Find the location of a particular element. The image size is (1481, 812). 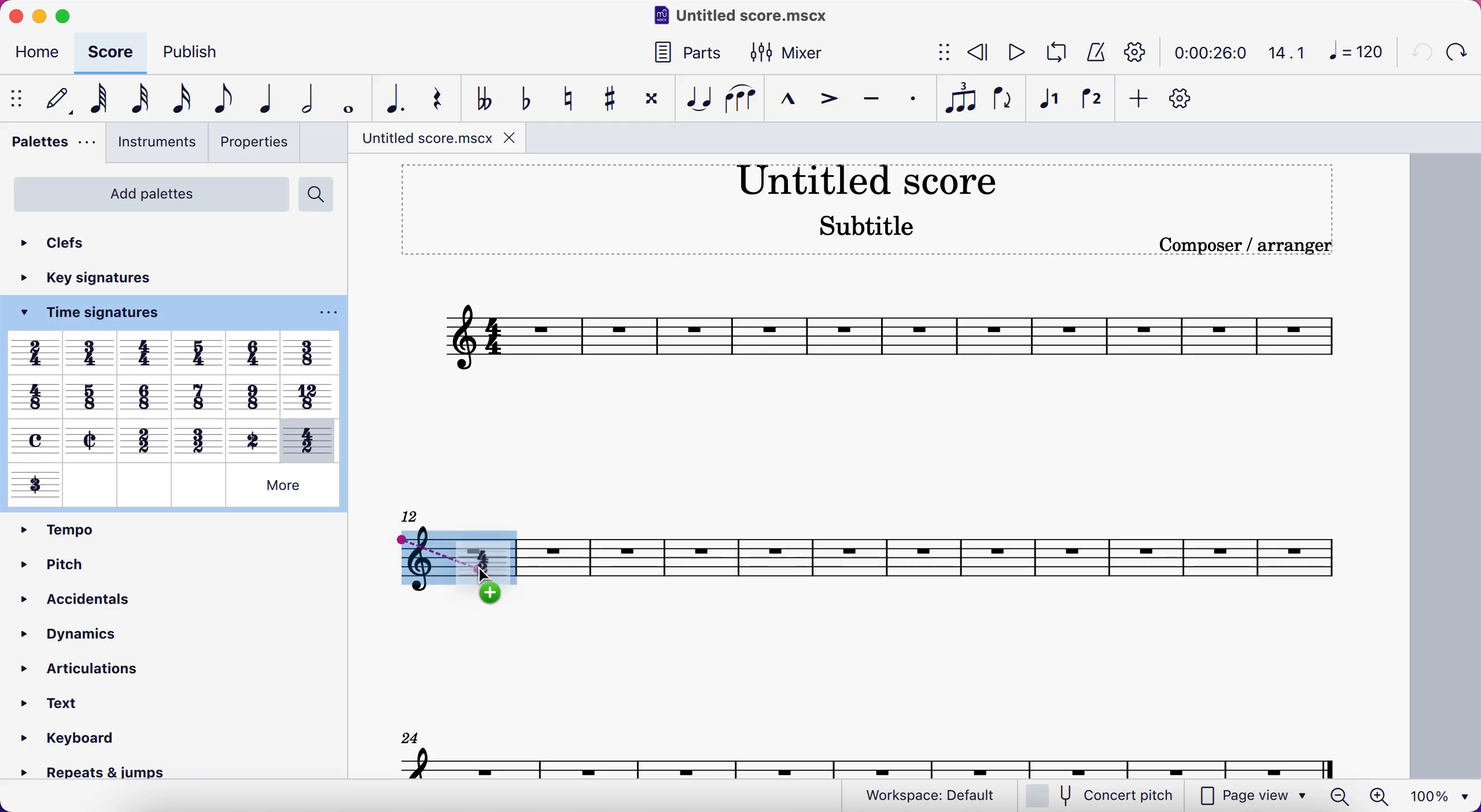

home is located at coordinates (32, 55).